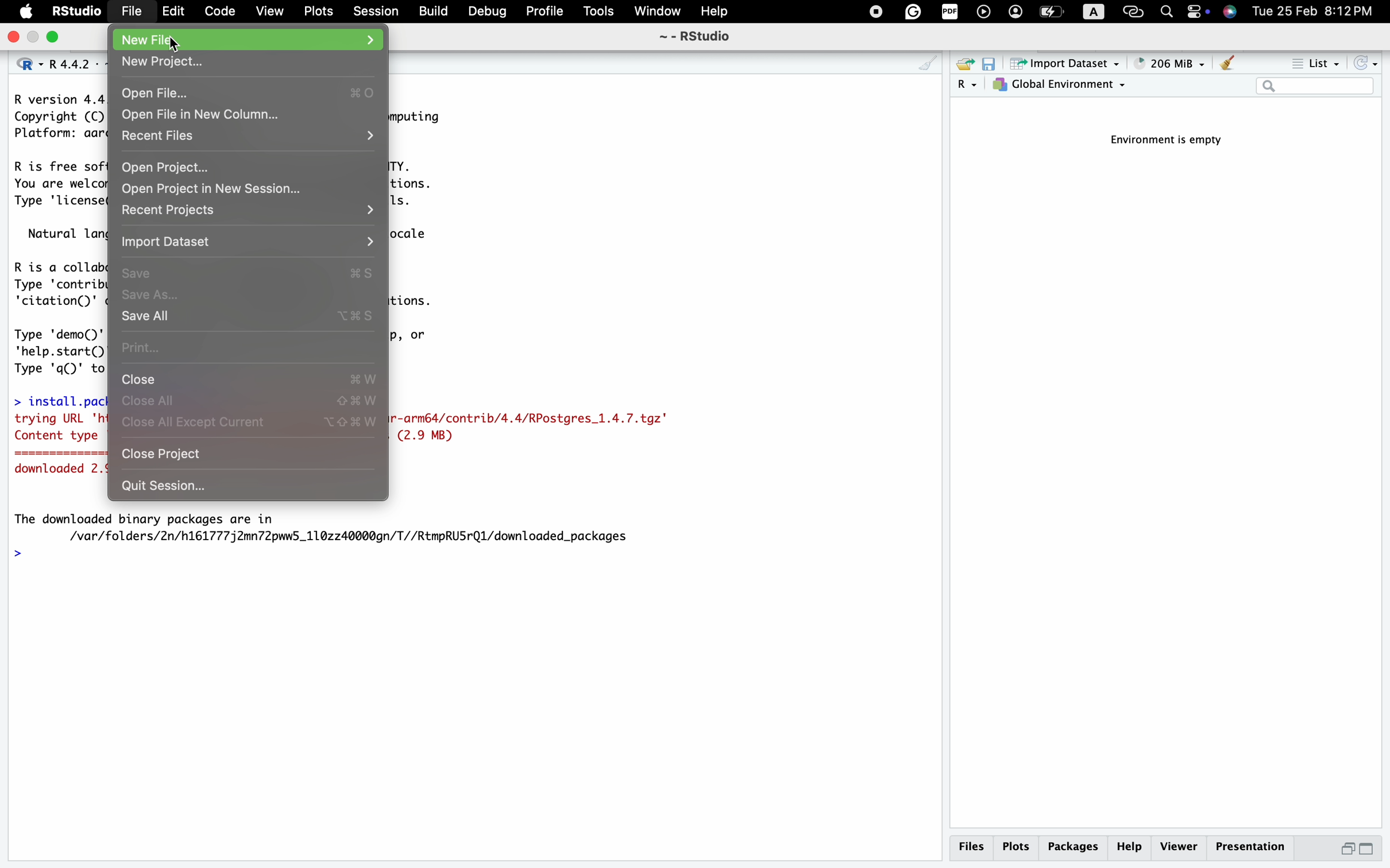 This screenshot has width=1390, height=868. What do you see at coordinates (1226, 64) in the screenshot?
I see `clear objects from the workspace` at bounding box center [1226, 64].